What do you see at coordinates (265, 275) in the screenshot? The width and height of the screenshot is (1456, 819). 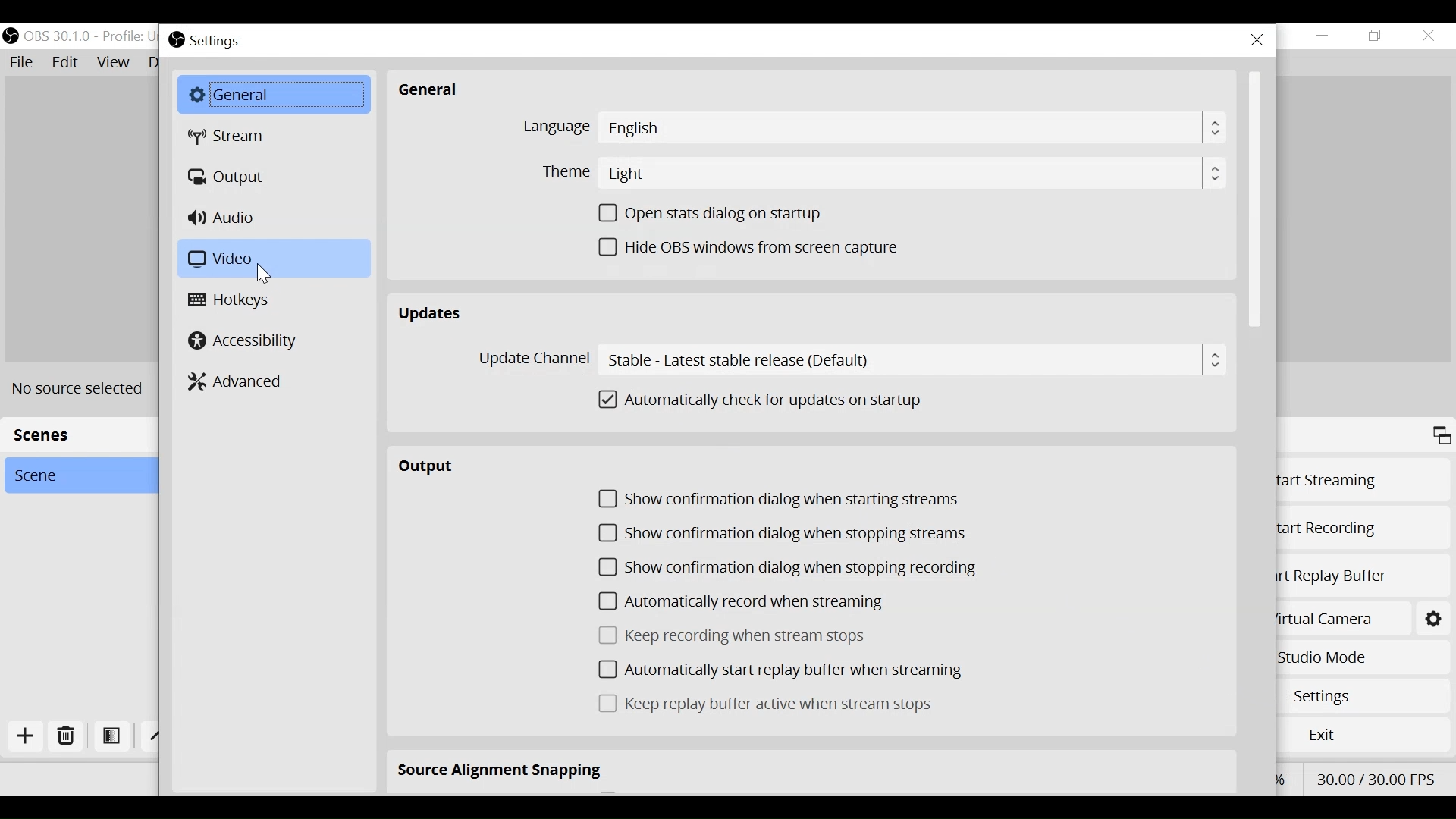 I see `Cursor` at bounding box center [265, 275].